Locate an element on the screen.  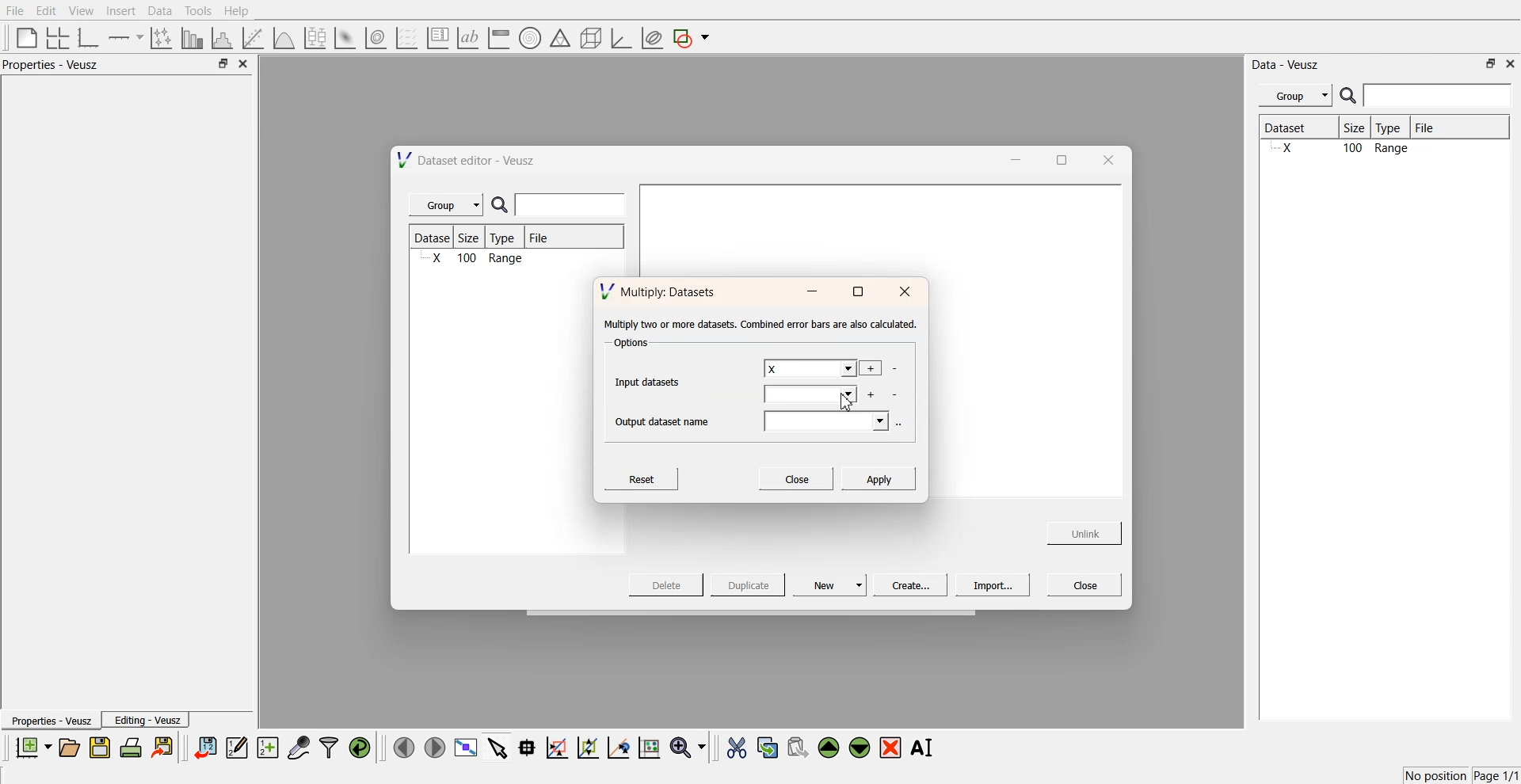
add more is located at coordinates (870, 369).